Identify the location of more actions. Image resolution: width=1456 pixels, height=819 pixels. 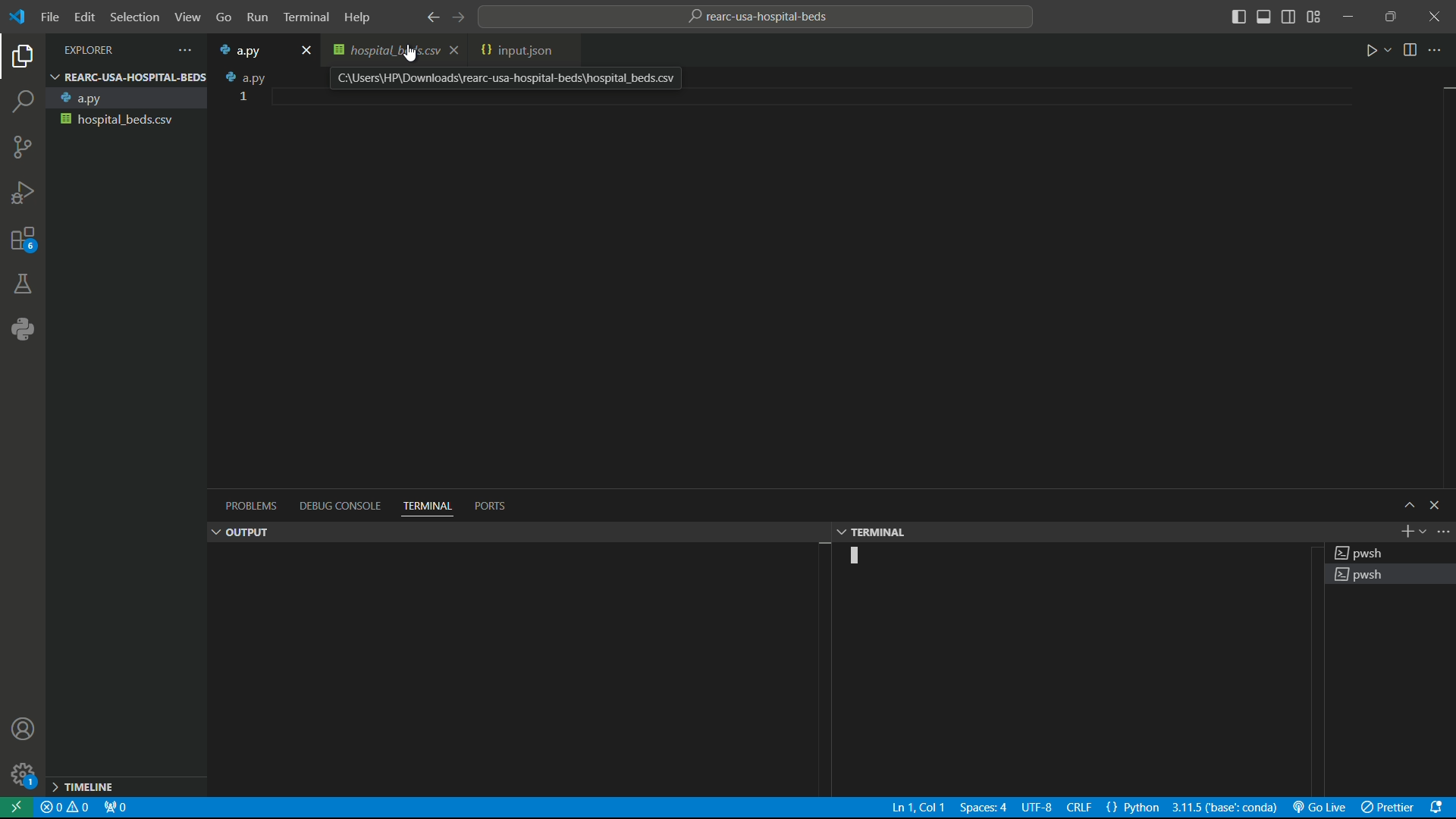
(1443, 532).